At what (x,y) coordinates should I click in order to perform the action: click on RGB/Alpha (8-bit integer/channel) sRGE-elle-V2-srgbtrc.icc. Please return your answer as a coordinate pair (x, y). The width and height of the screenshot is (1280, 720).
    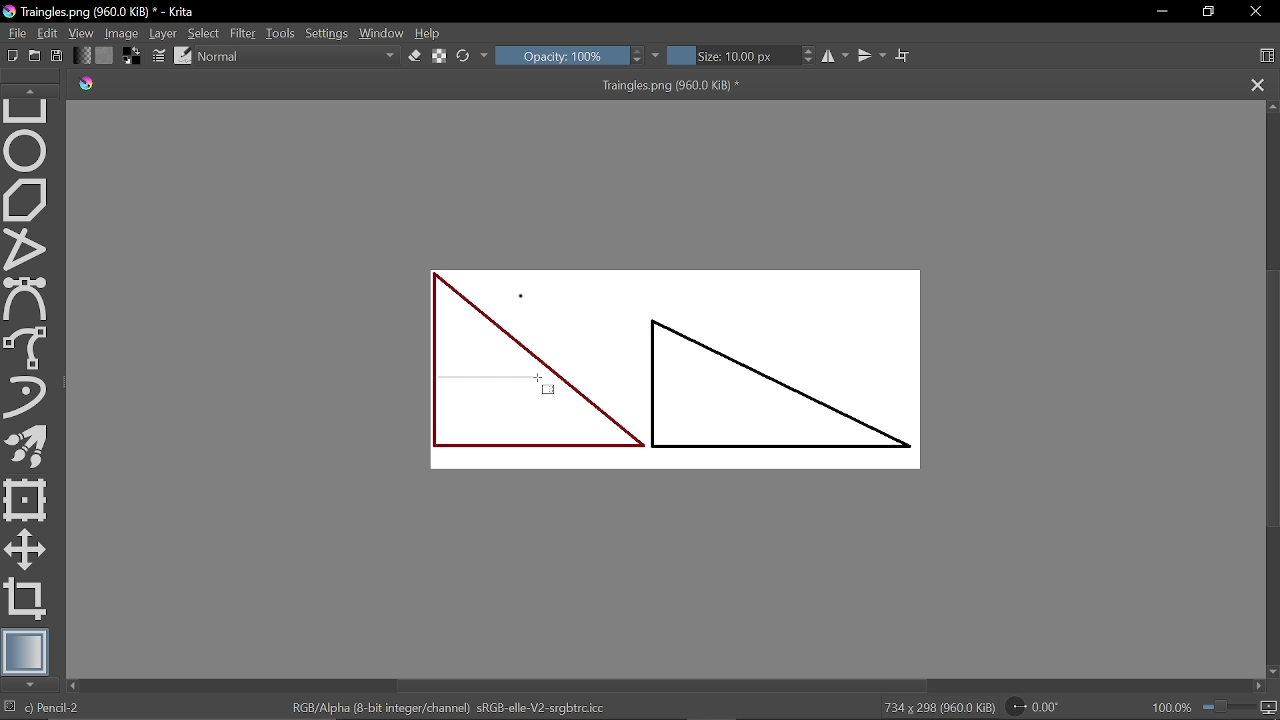
    Looking at the image, I should click on (452, 707).